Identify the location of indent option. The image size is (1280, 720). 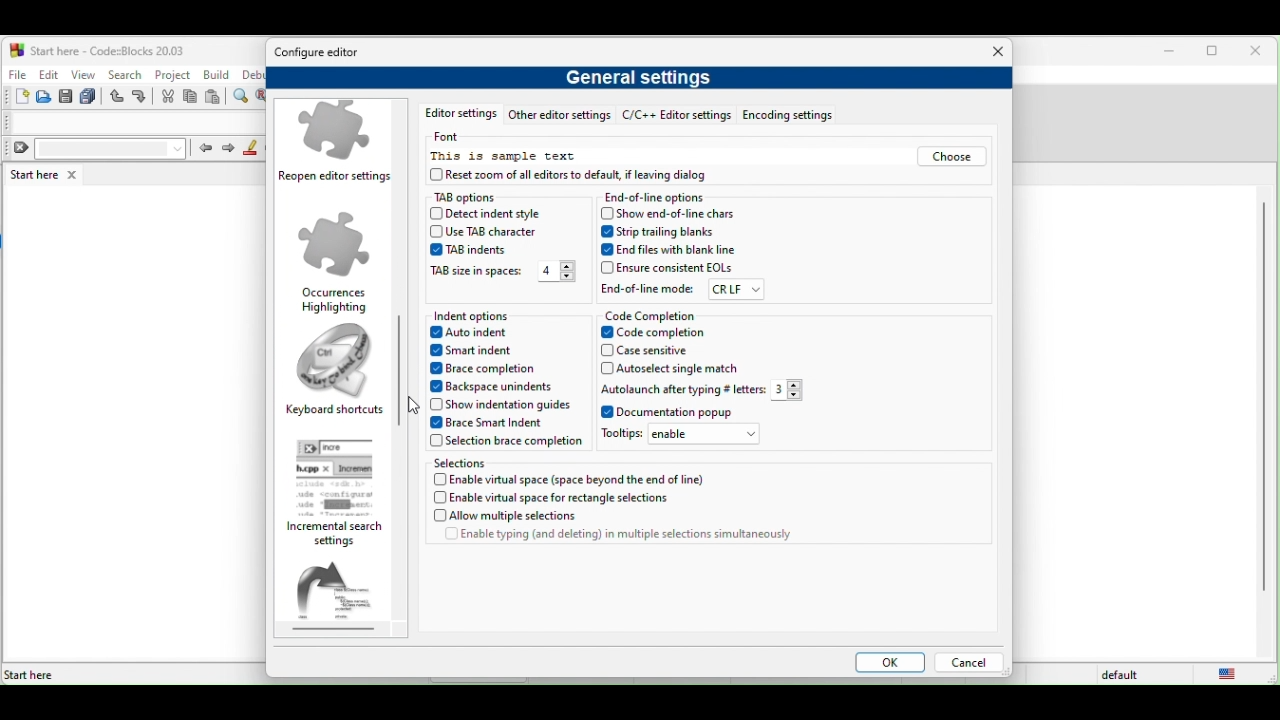
(499, 316).